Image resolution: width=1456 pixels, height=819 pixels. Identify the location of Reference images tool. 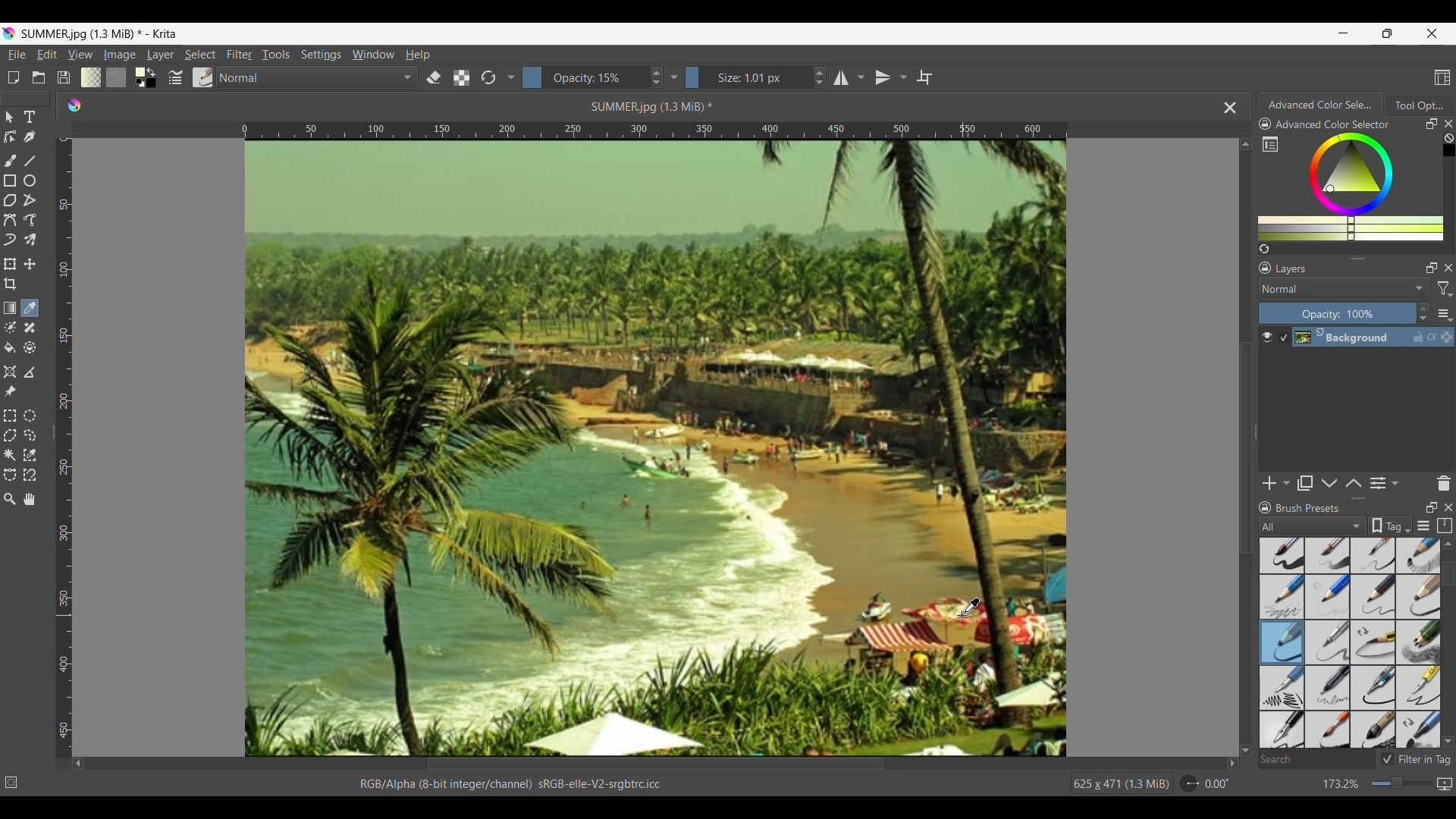
(9, 392).